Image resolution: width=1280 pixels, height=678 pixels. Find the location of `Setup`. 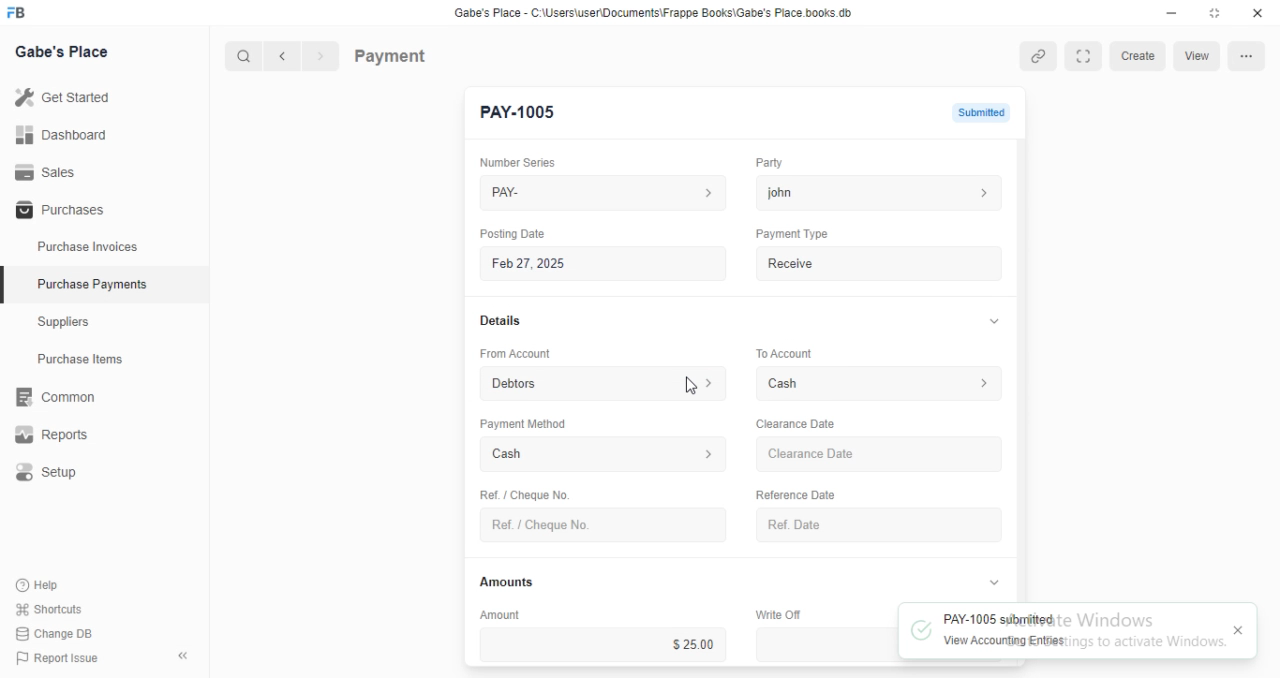

Setup is located at coordinates (61, 473).